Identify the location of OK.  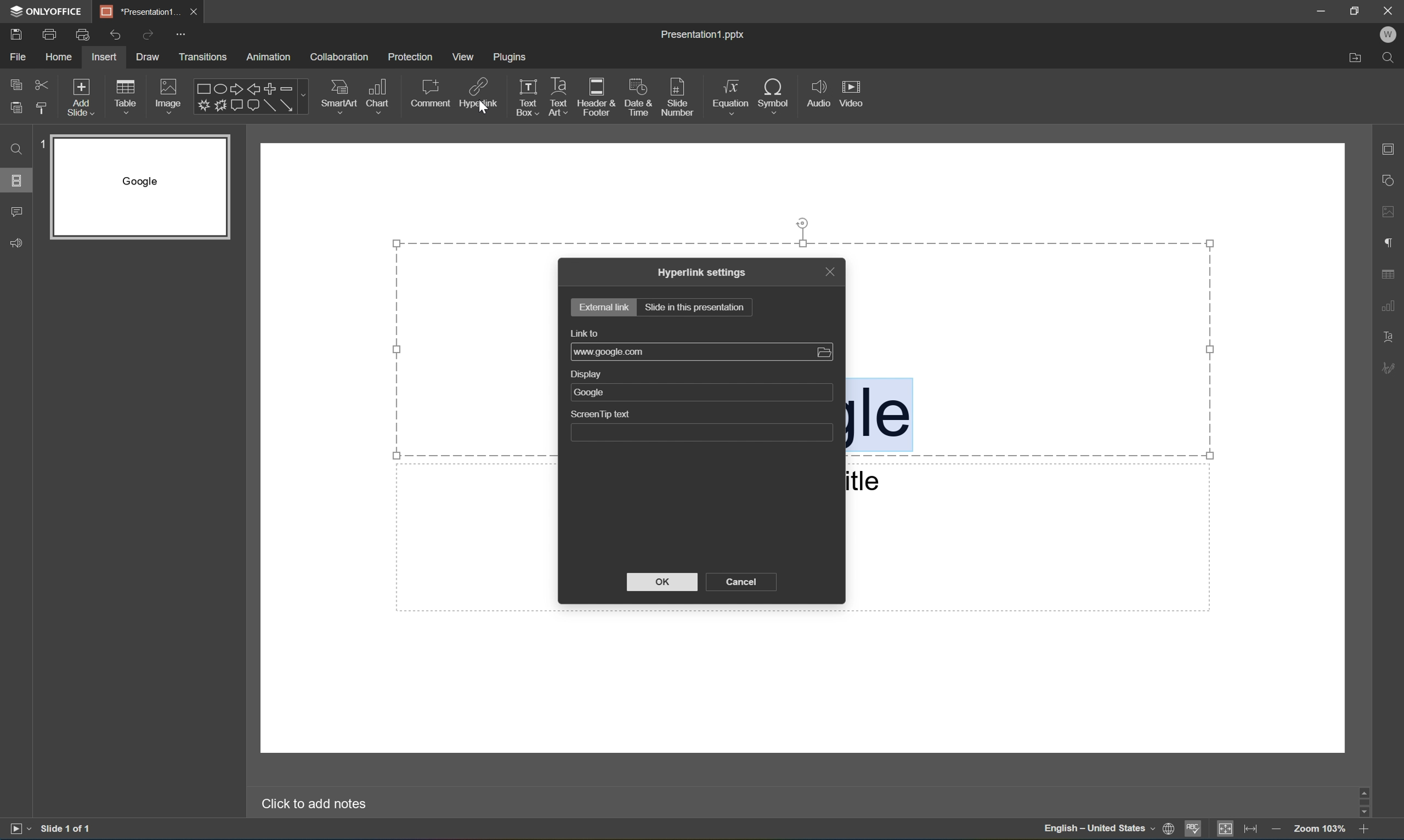
(666, 583).